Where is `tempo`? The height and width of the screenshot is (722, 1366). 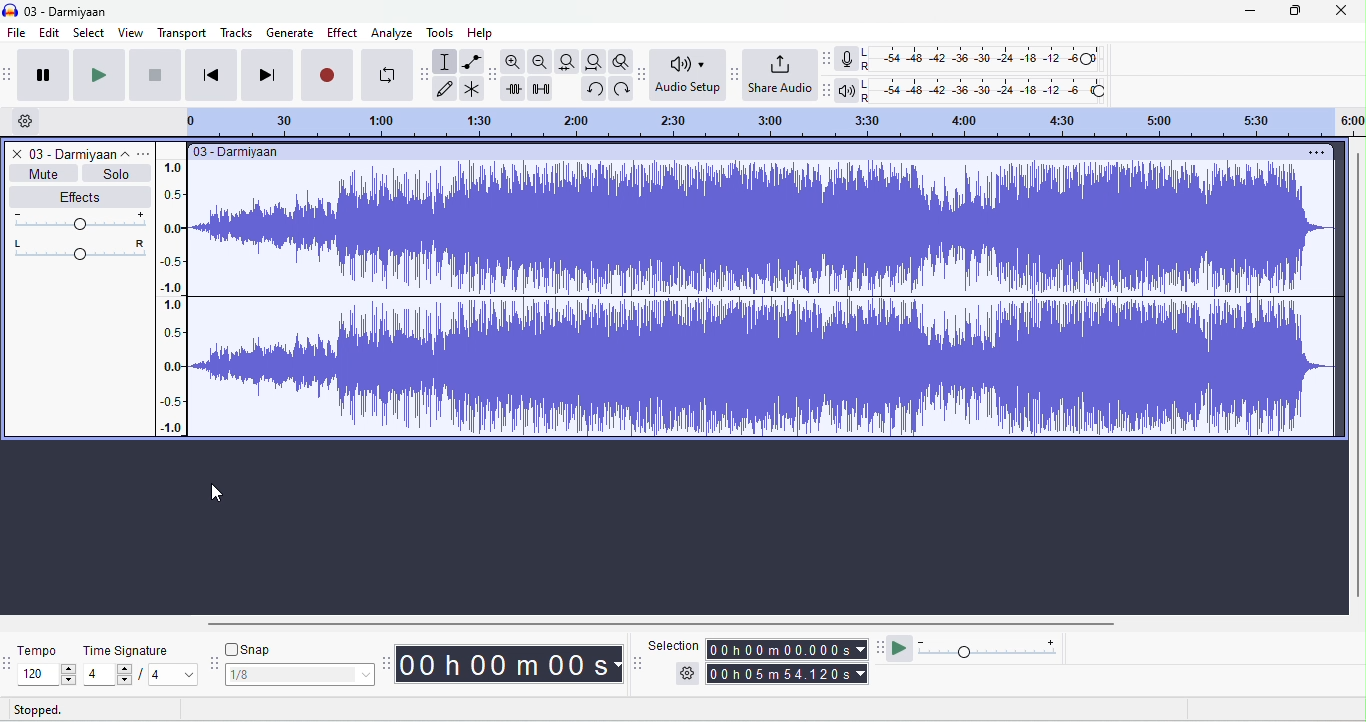 tempo is located at coordinates (38, 650).